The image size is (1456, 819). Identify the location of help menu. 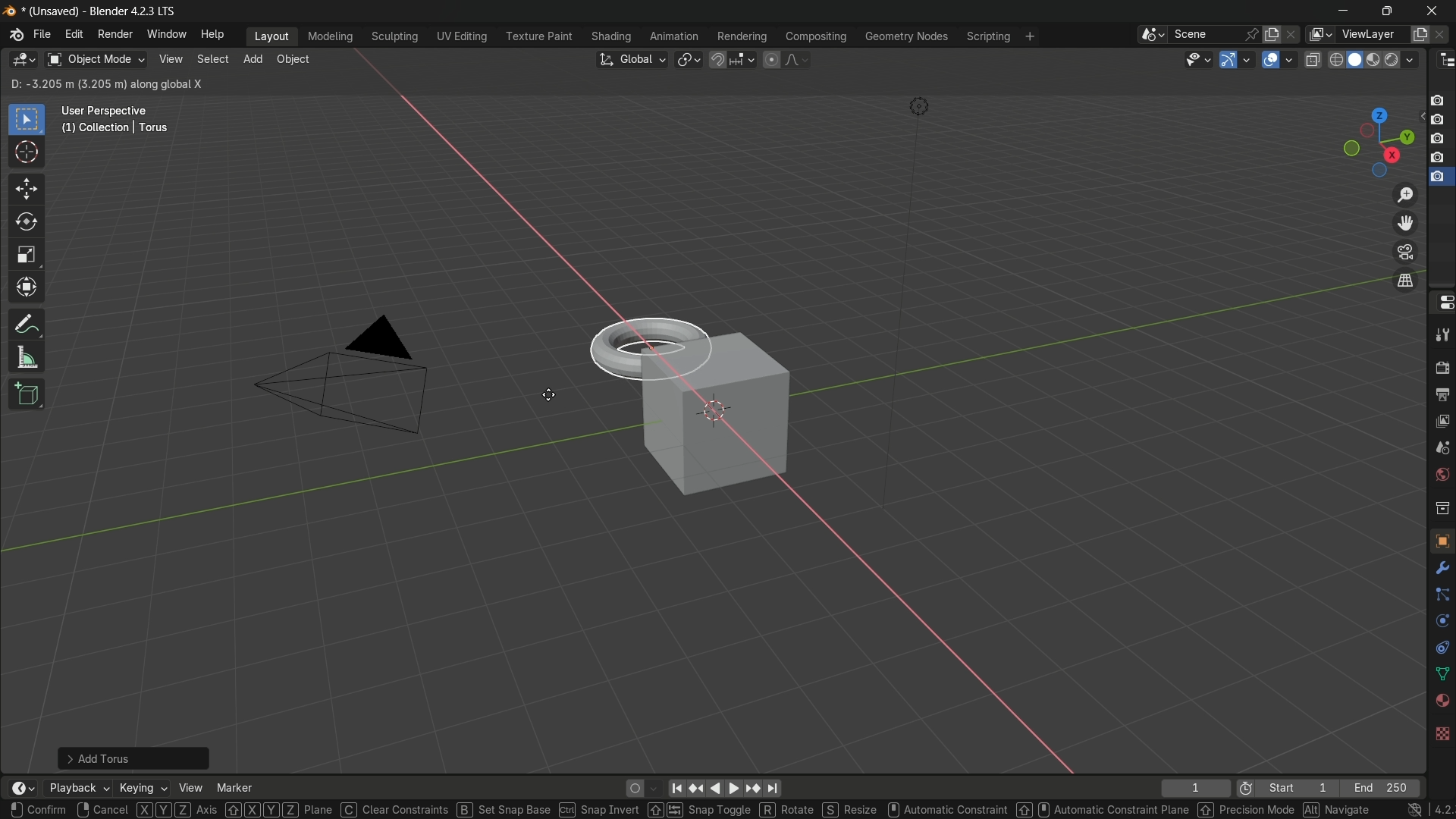
(215, 35).